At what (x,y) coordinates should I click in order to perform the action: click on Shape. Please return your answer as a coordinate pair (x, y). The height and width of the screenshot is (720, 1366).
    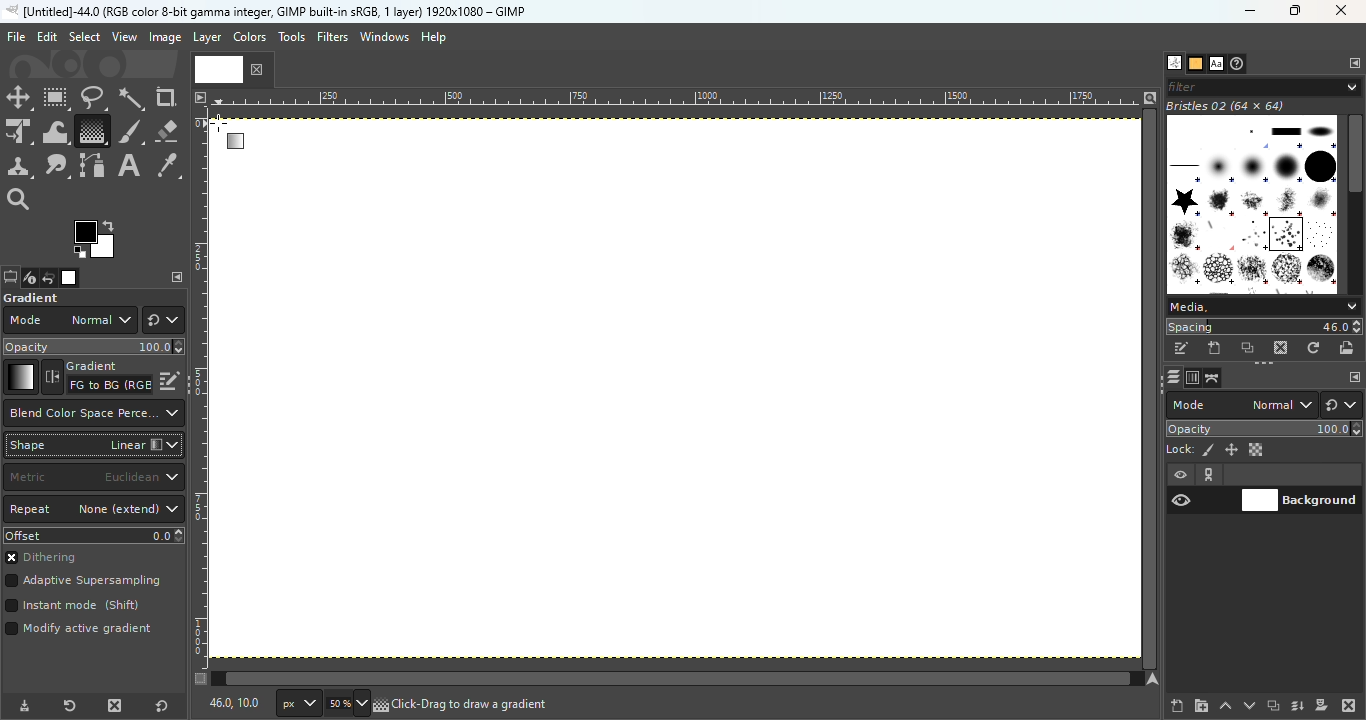
    Looking at the image, I should click on (93, 445).